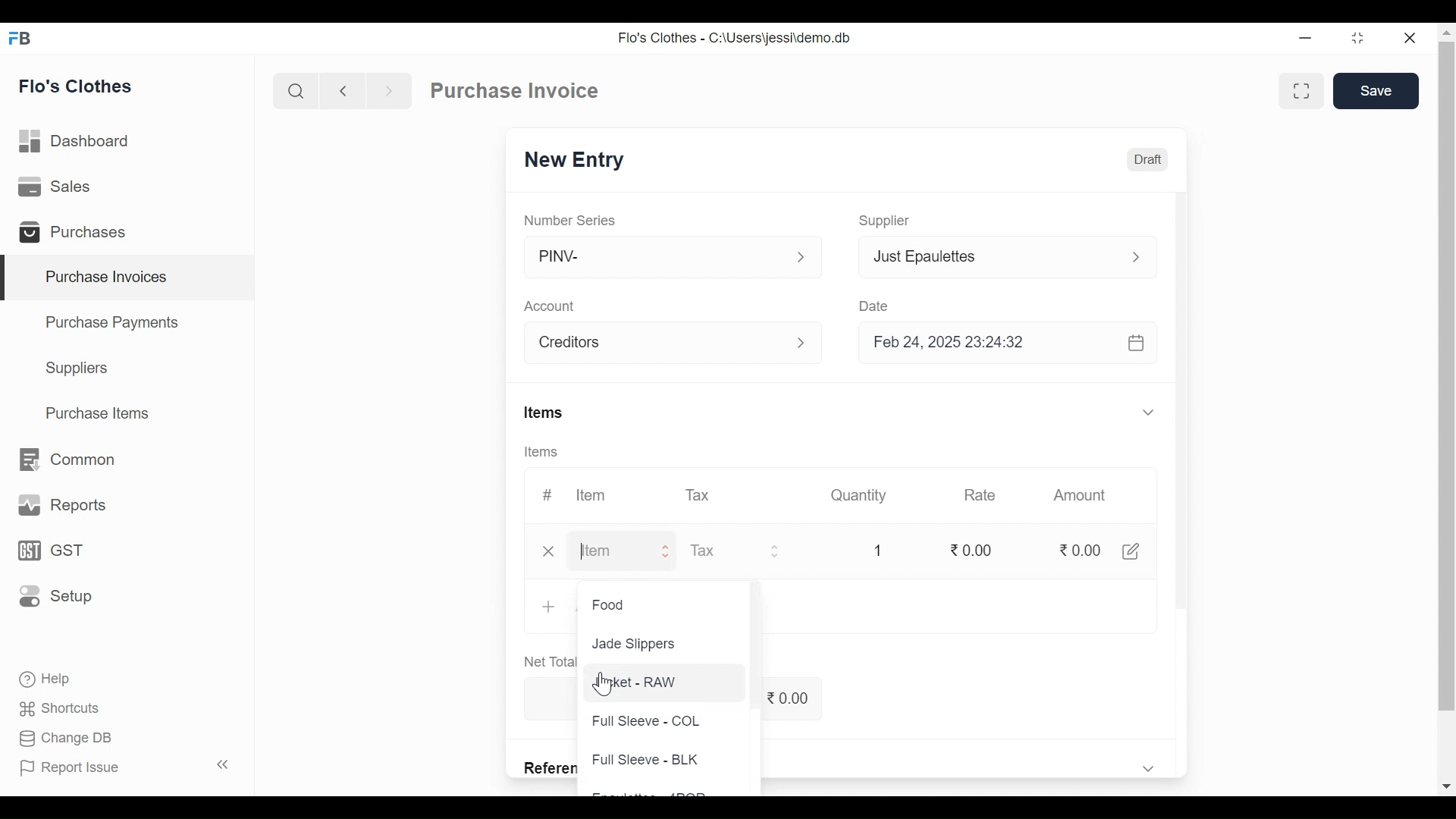 Image resolution: width=1456 pixels, height=819 pixels. Describe the element at coordinates (648, 719) in the screenshot. I see `Full Sleeve - COL` at that location.